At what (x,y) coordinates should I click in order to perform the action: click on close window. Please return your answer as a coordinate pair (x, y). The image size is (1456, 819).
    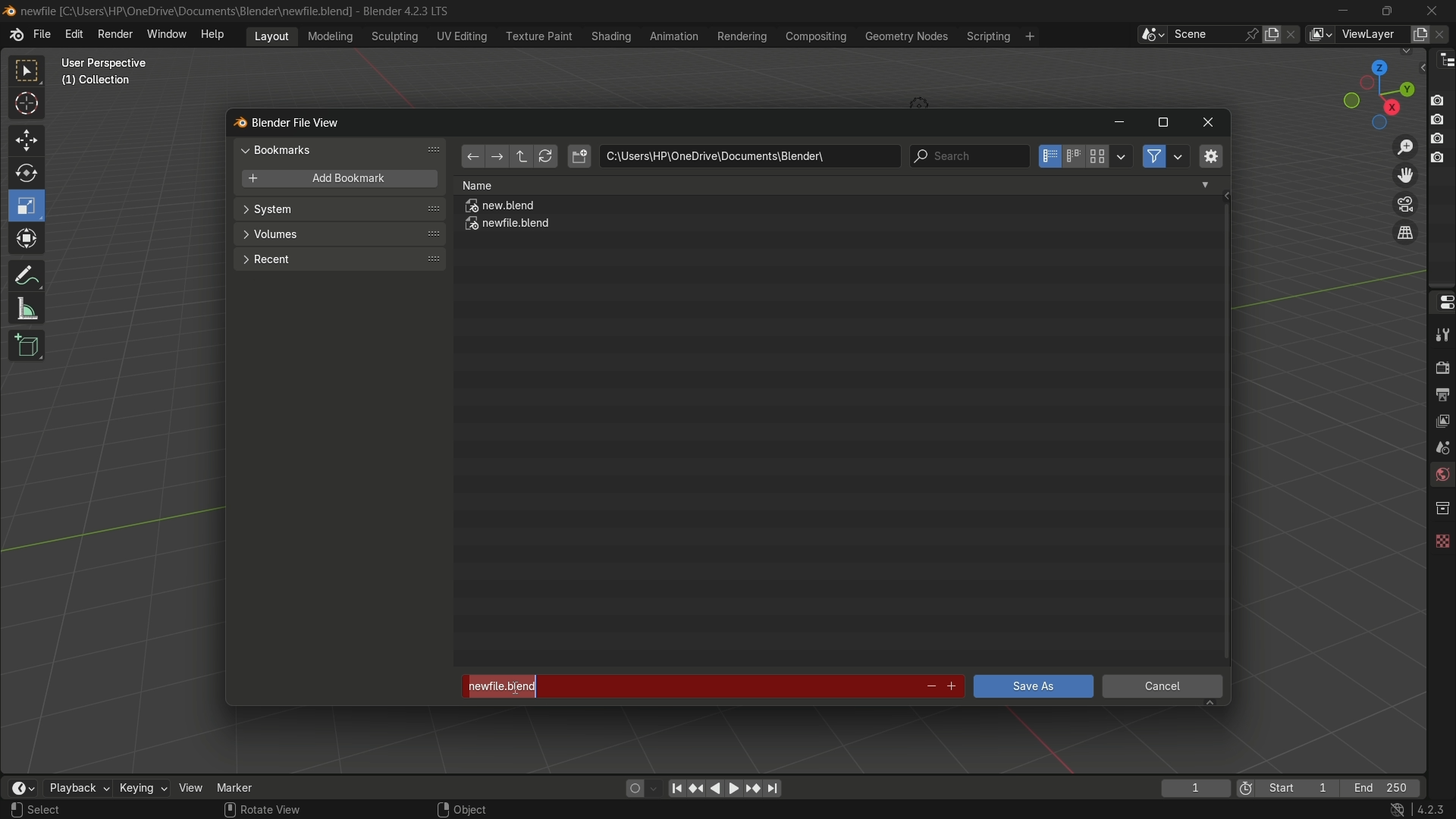
    Looking at the image, I should click on (1209, 123).